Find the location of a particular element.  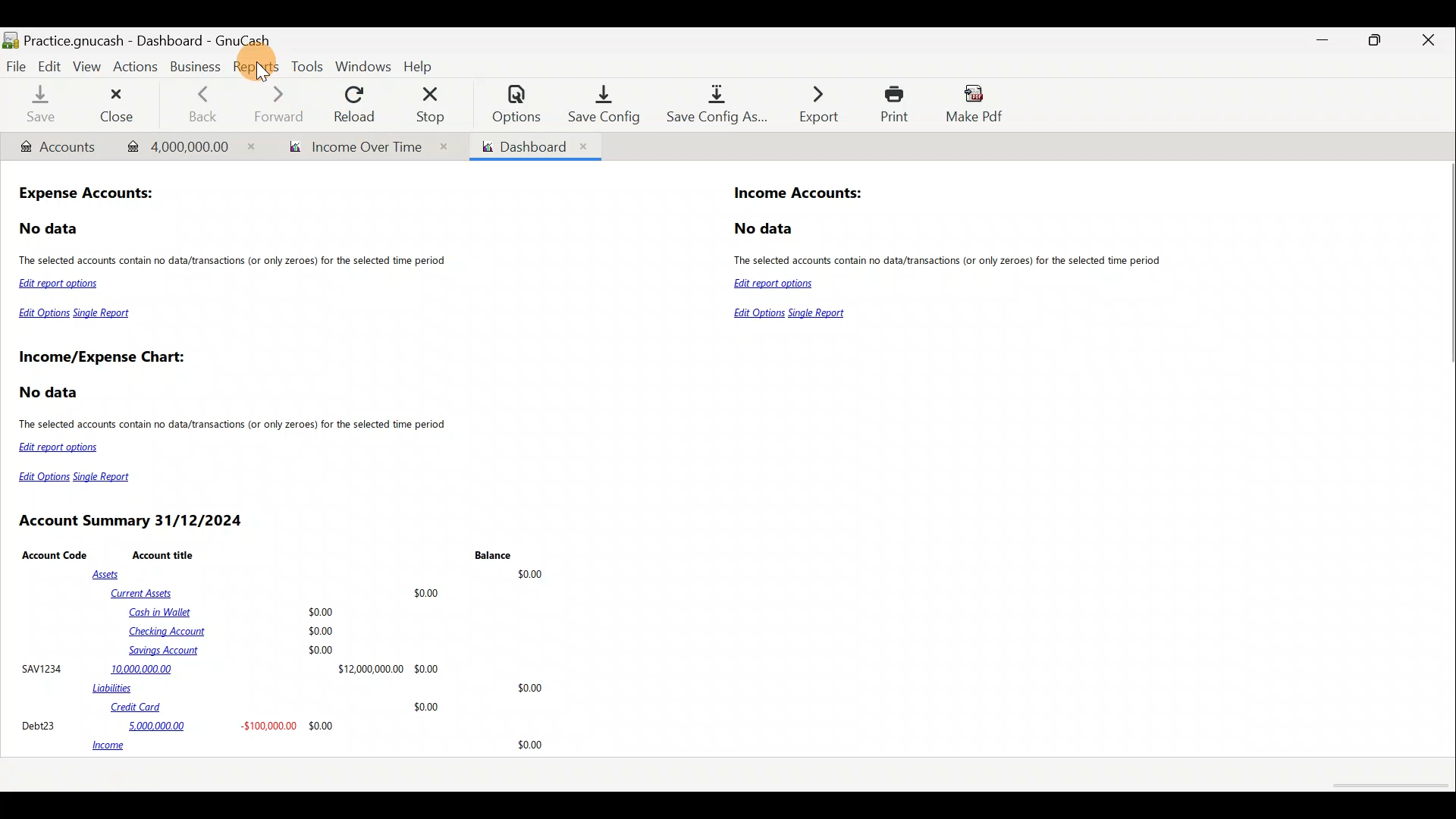

Reload is located at coordinates (357, 104).